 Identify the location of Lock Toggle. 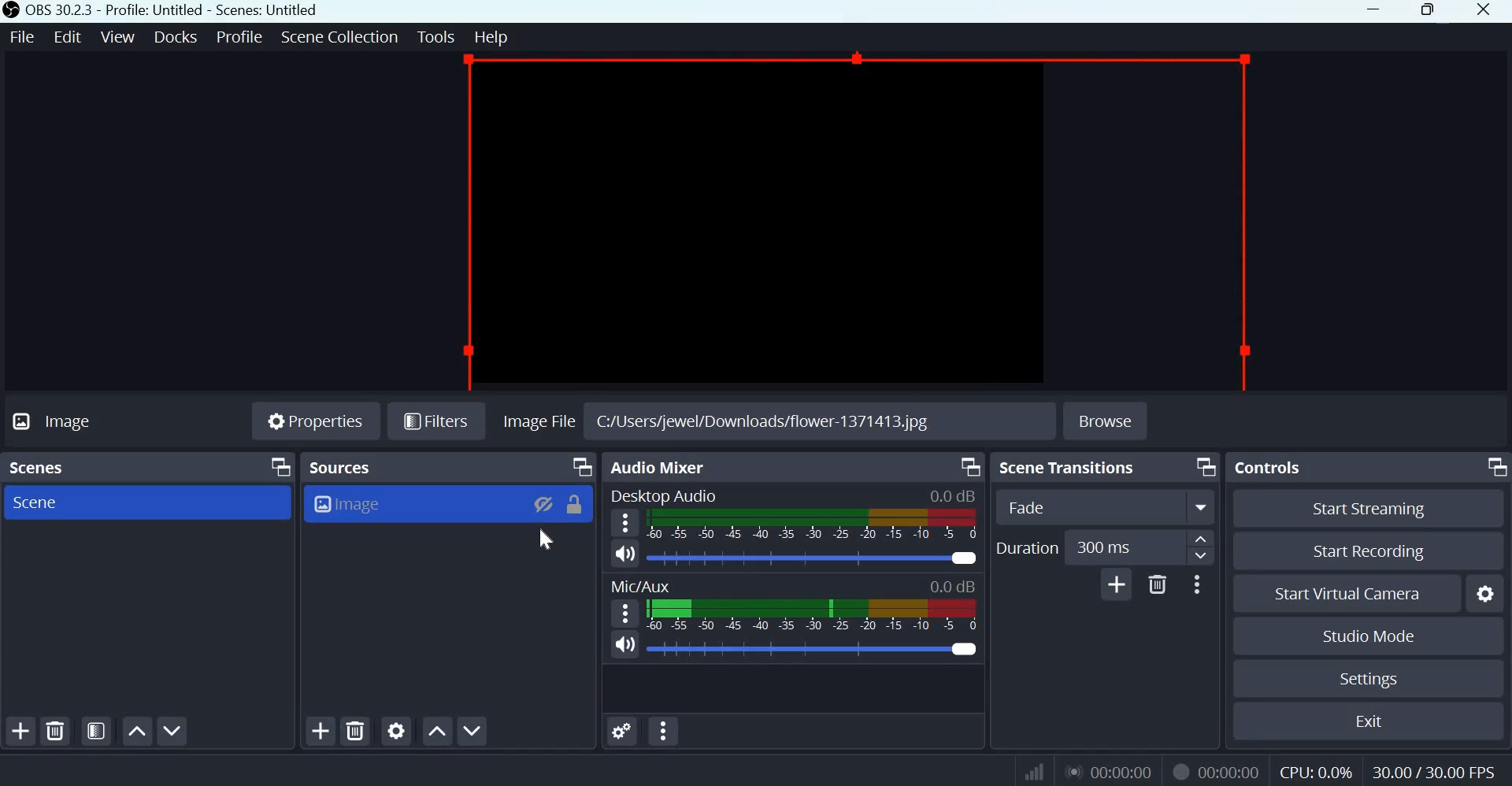
(576, 506).